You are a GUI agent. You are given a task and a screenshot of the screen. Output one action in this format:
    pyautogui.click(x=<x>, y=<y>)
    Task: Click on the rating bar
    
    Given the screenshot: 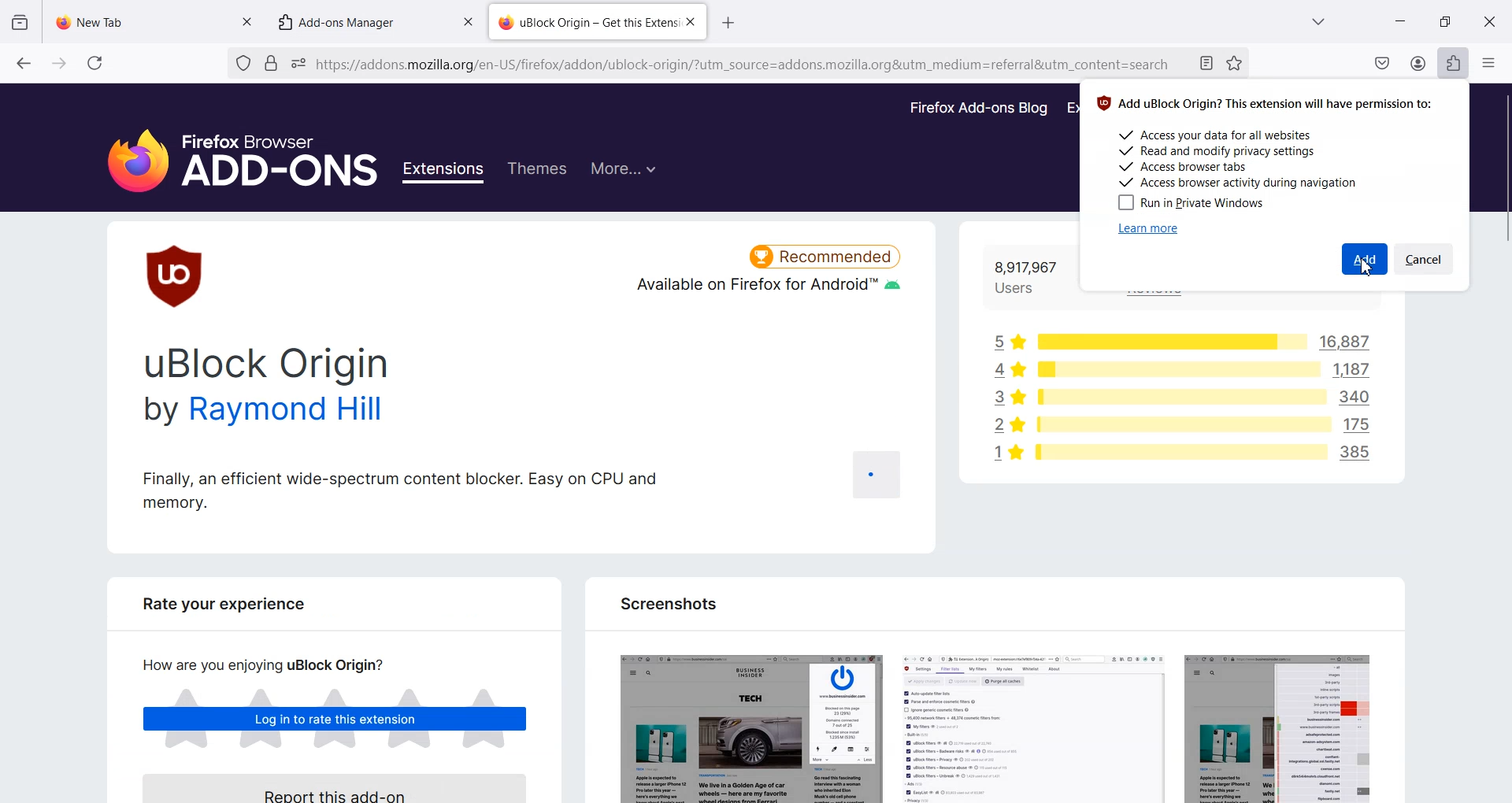 What is the action you would take?
    pyautogui.click(x=1180, y=426)
    